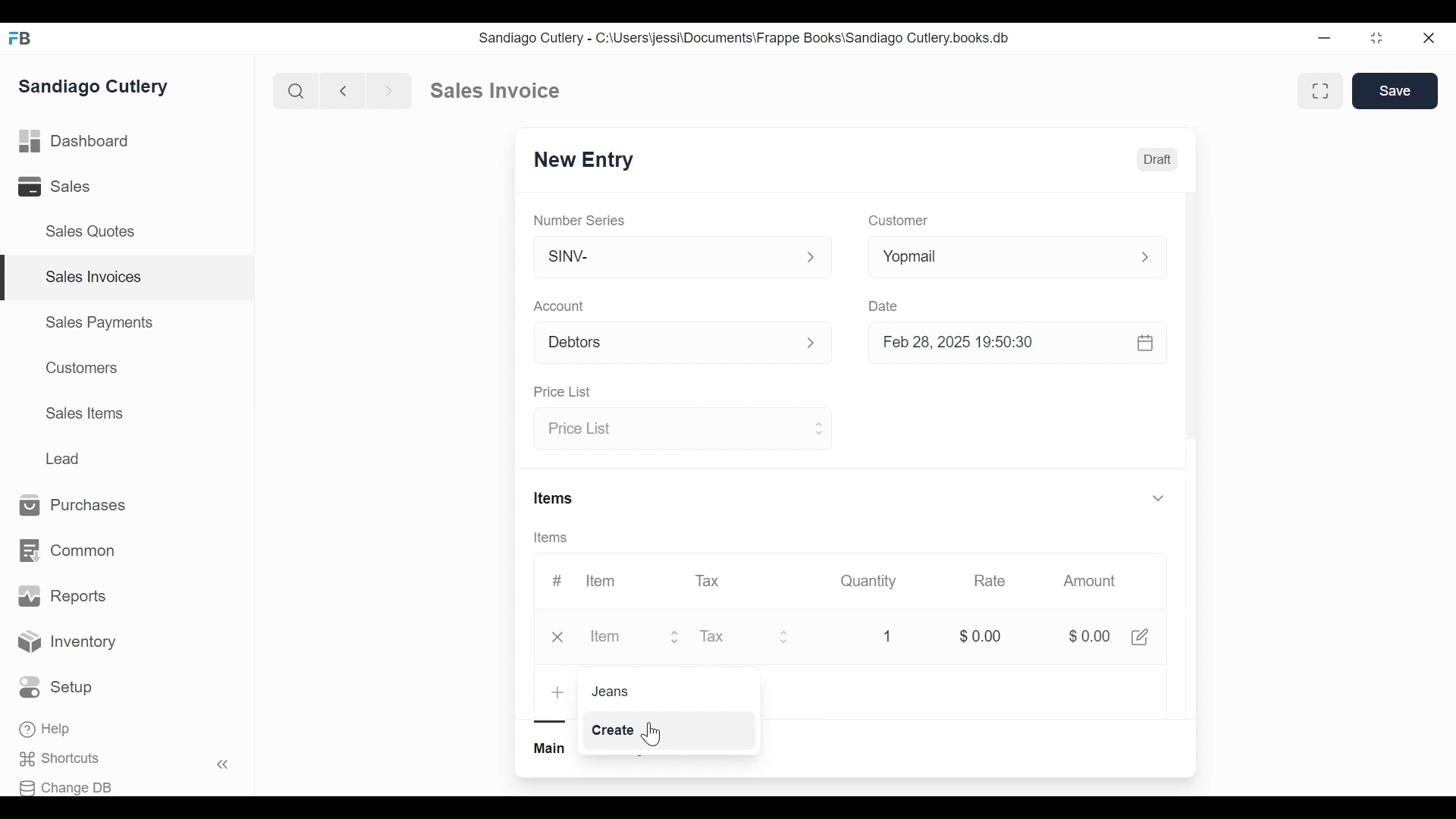 The height and width of the screenshot is (819, 1456). I want to click on Sandiago Cutlery, so click(98, 86).